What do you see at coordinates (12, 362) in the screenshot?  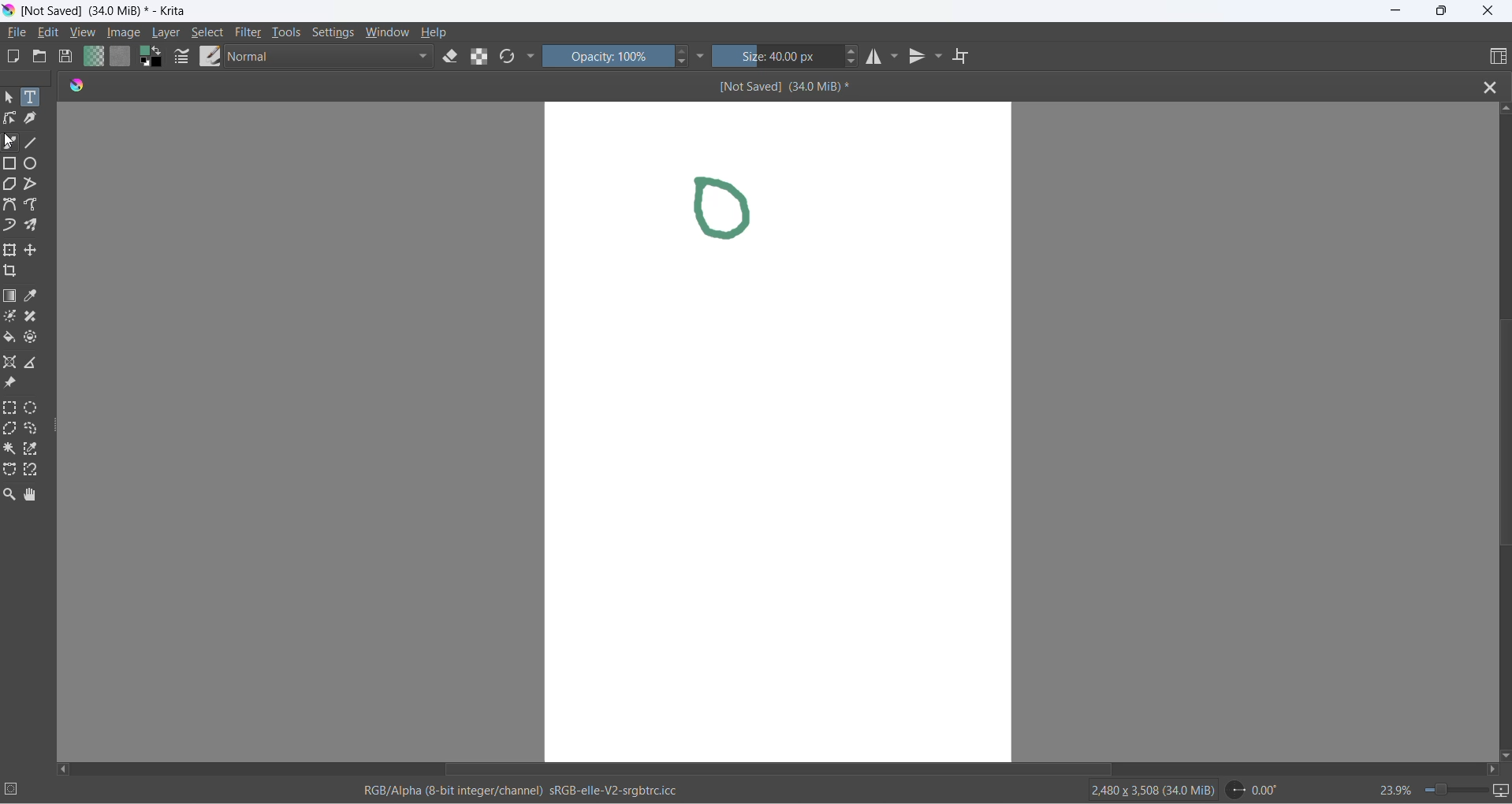 I see `assistant tool` at bounding box center [12, 362].